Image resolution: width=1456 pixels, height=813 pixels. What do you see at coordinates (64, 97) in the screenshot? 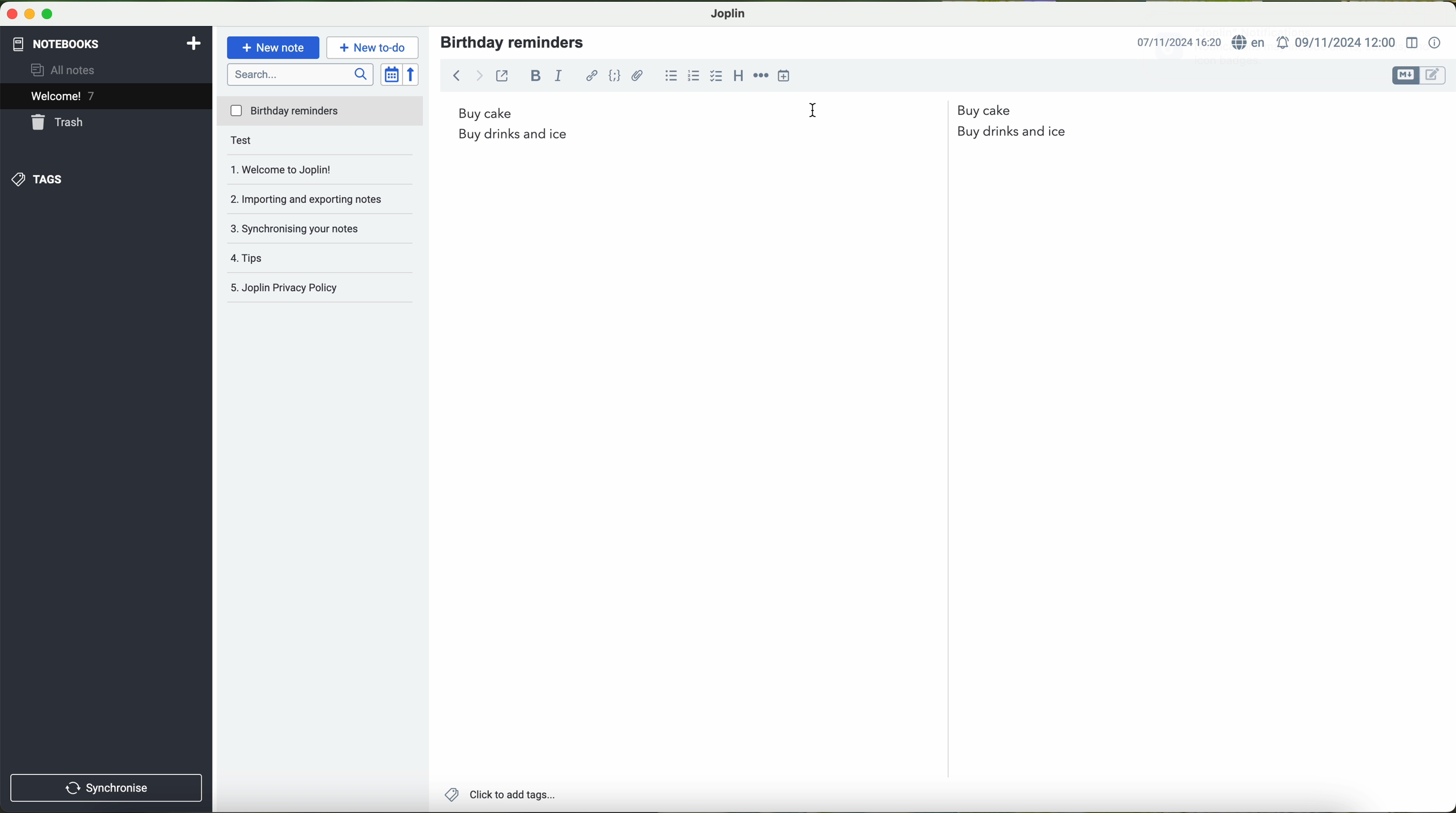
I see `welcome 6` at bounding box center [64, 97].